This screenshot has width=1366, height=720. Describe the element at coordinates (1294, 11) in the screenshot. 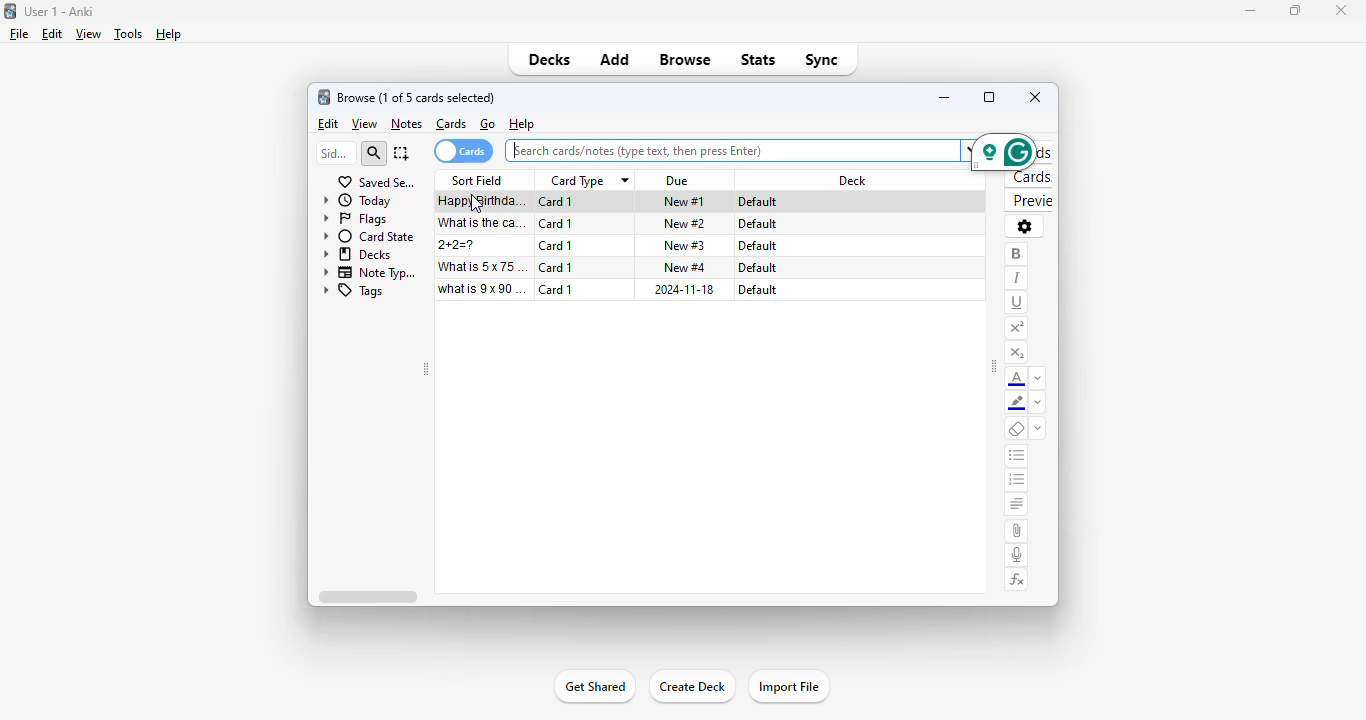

I see `maximize` at that location.